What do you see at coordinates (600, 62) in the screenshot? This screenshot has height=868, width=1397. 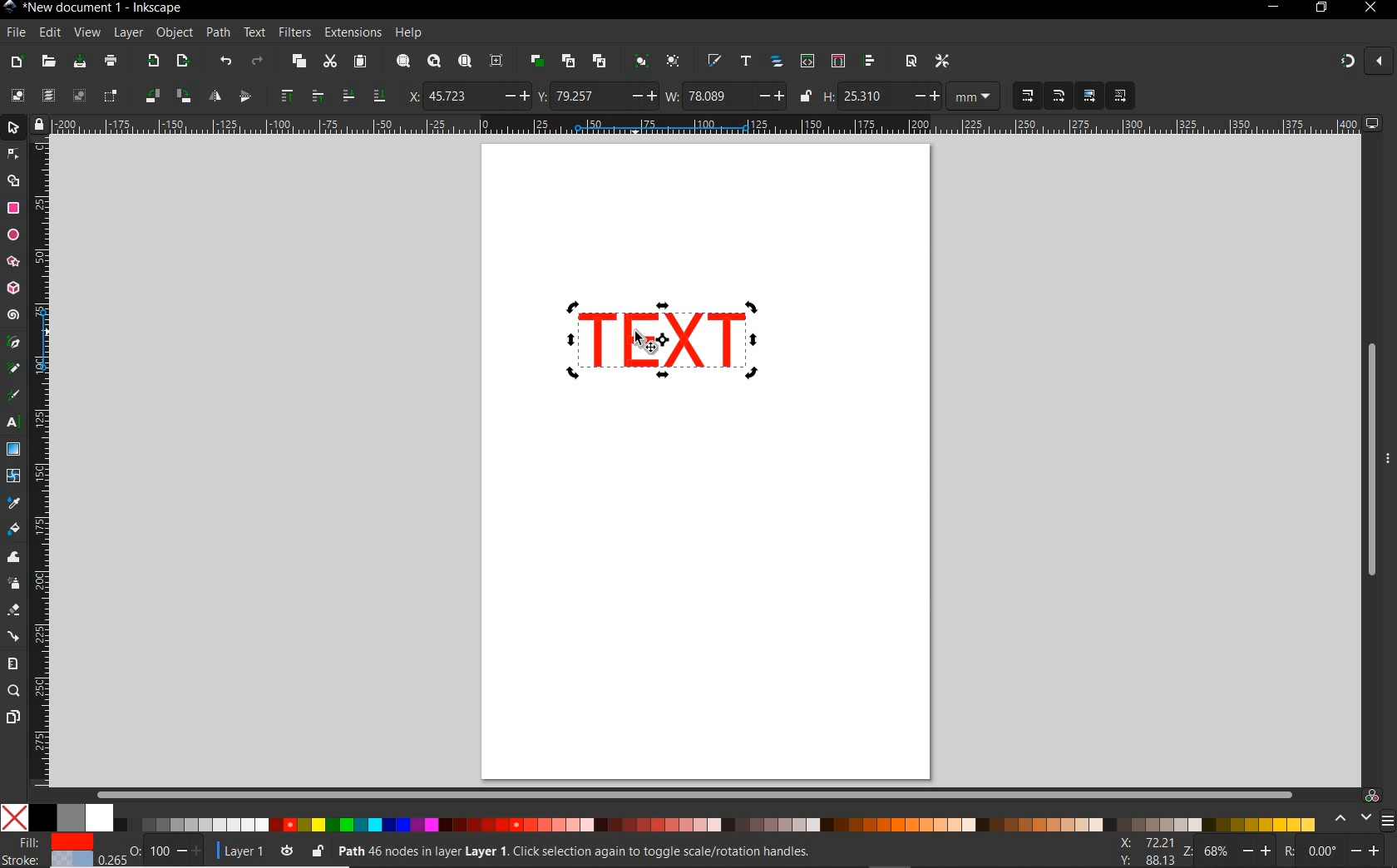 I see `UNLINK CLONE` at bounding box center [600, 62].